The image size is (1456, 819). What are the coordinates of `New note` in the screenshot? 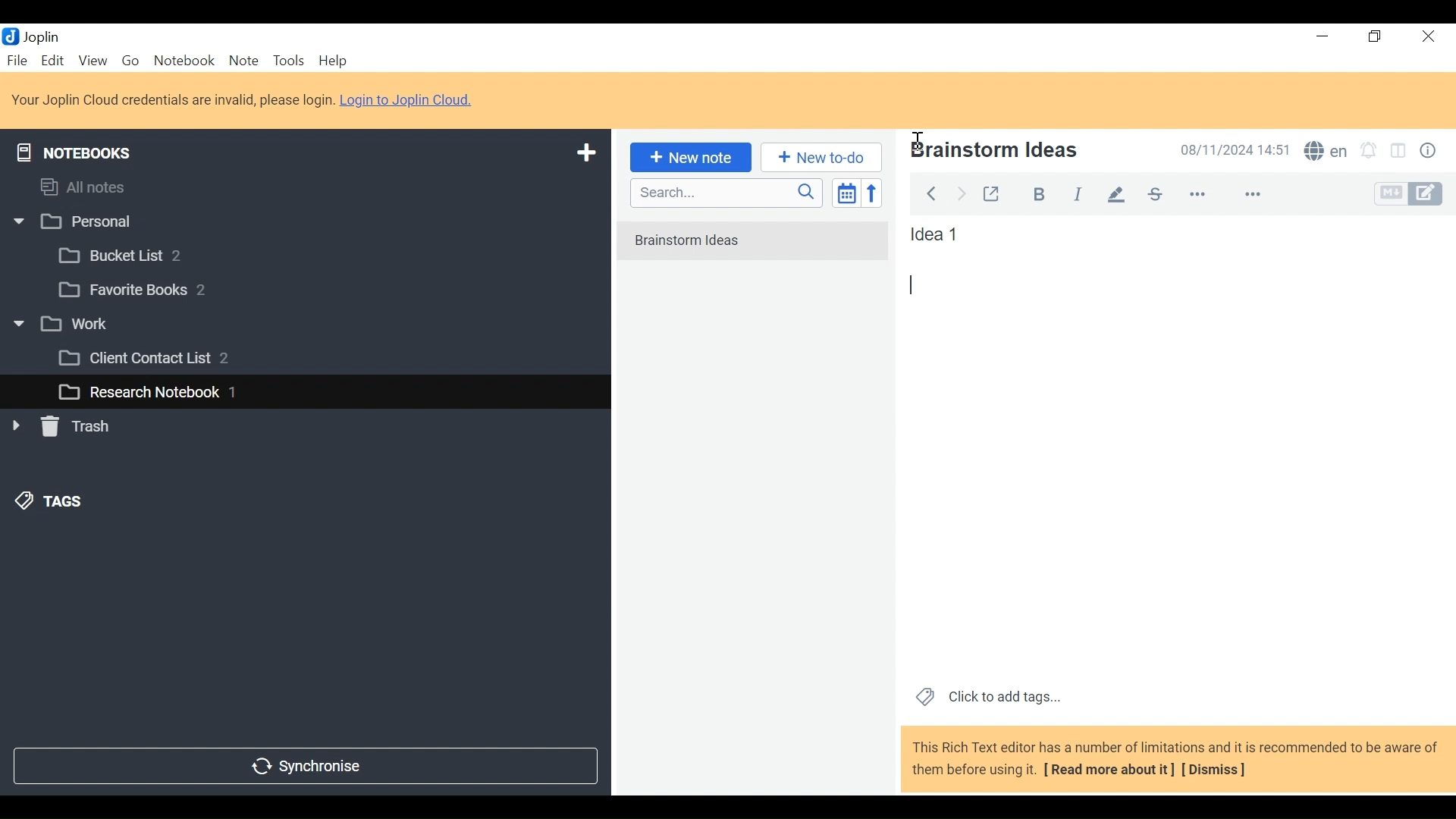 It's located at (688, 156).